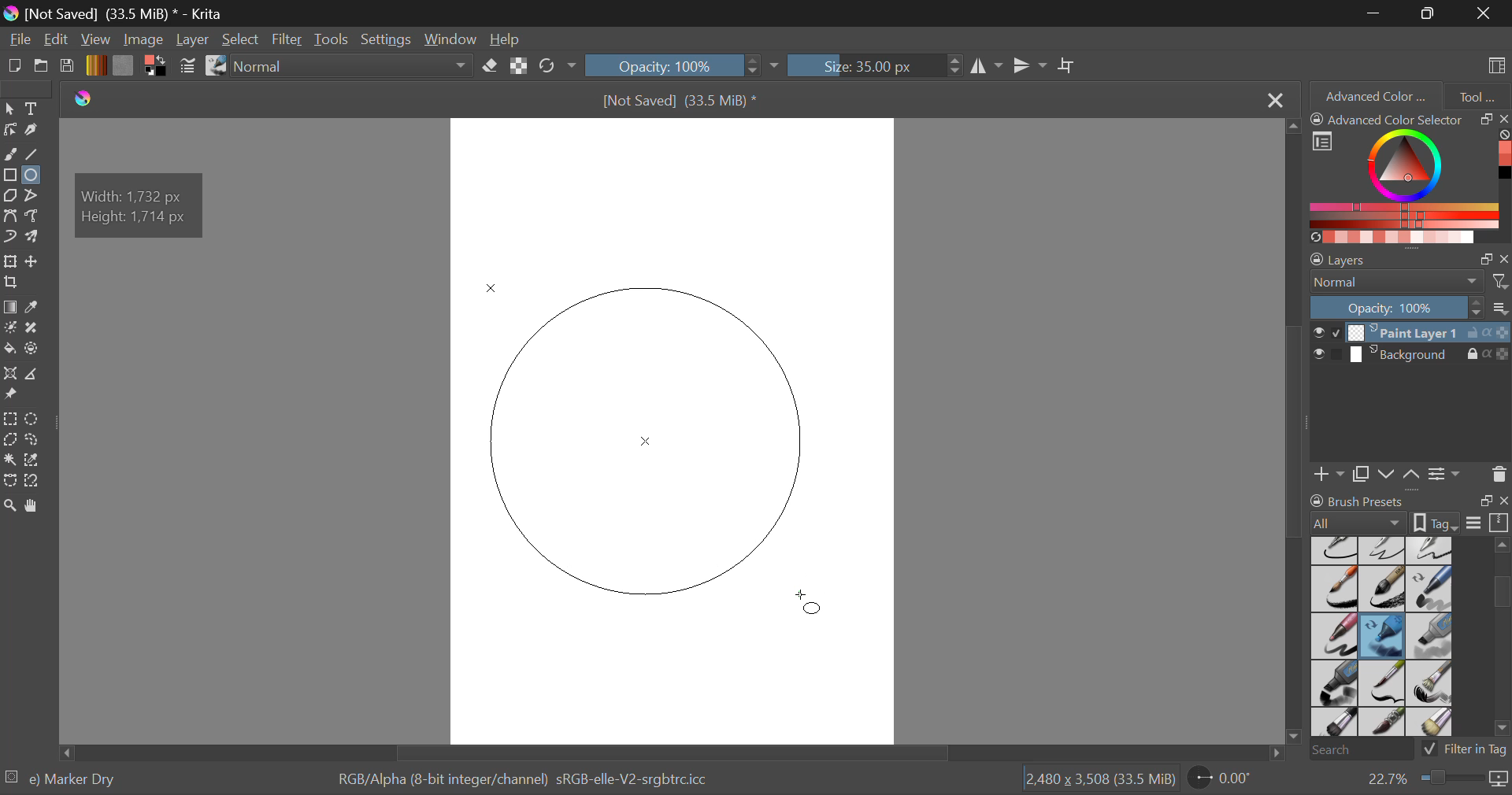  What do you see at coordinates (34, 108) in the screenshot?
I see `Text` at bounding box center [34, 108].